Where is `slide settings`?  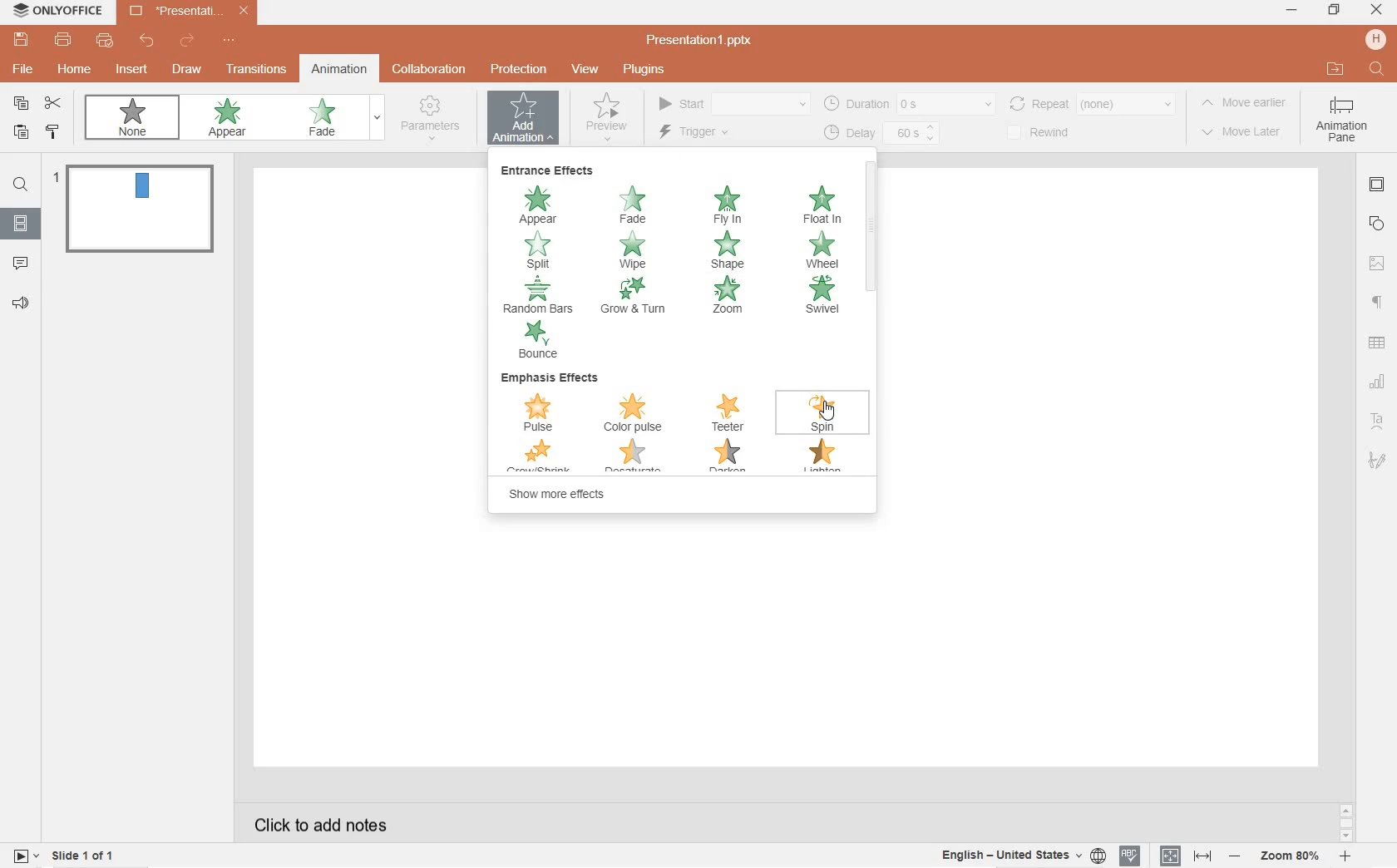
slide settings is located at coordinates (1378, 186).